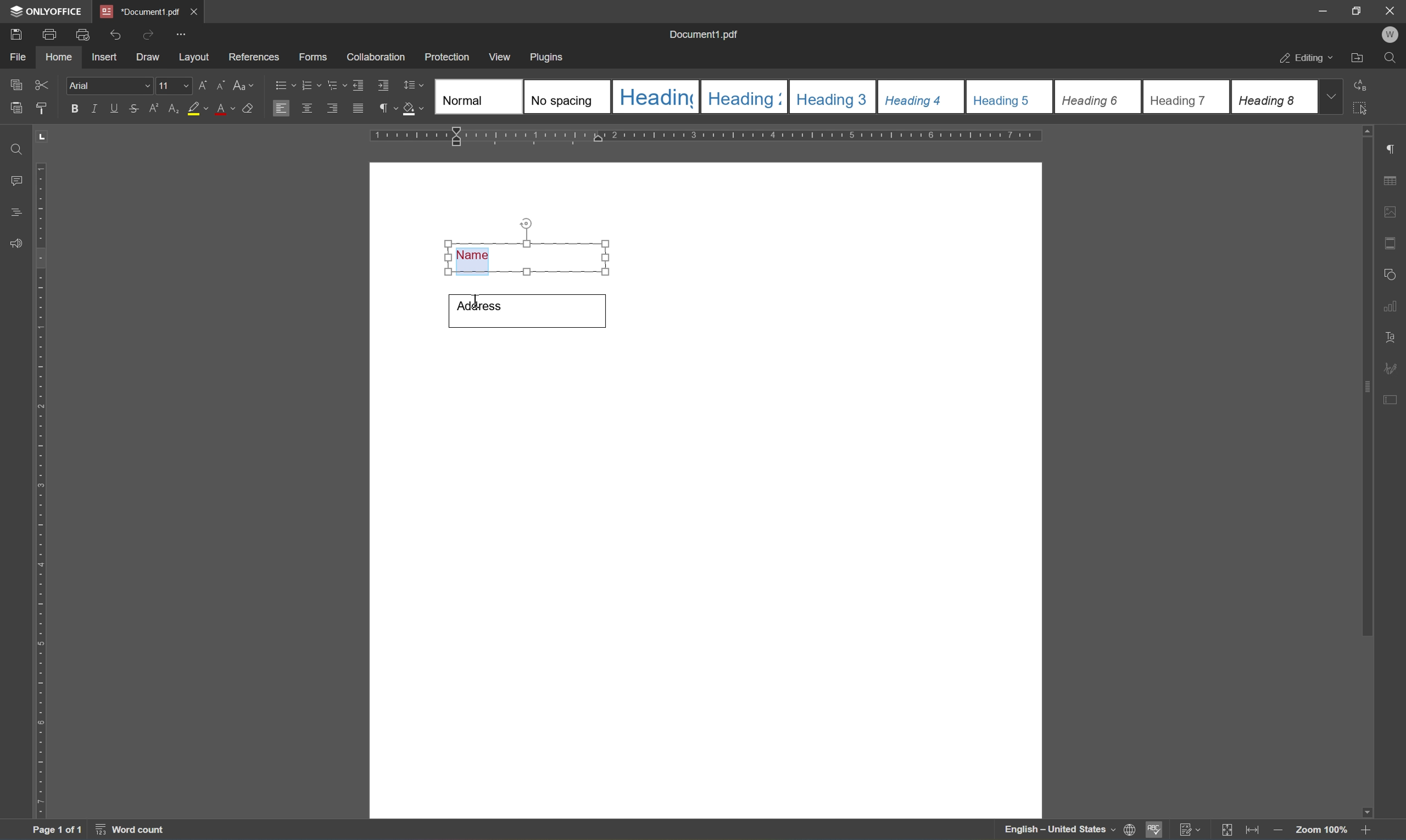 The image size is (1406, 840). I want to click on change case, so click(245, 87).